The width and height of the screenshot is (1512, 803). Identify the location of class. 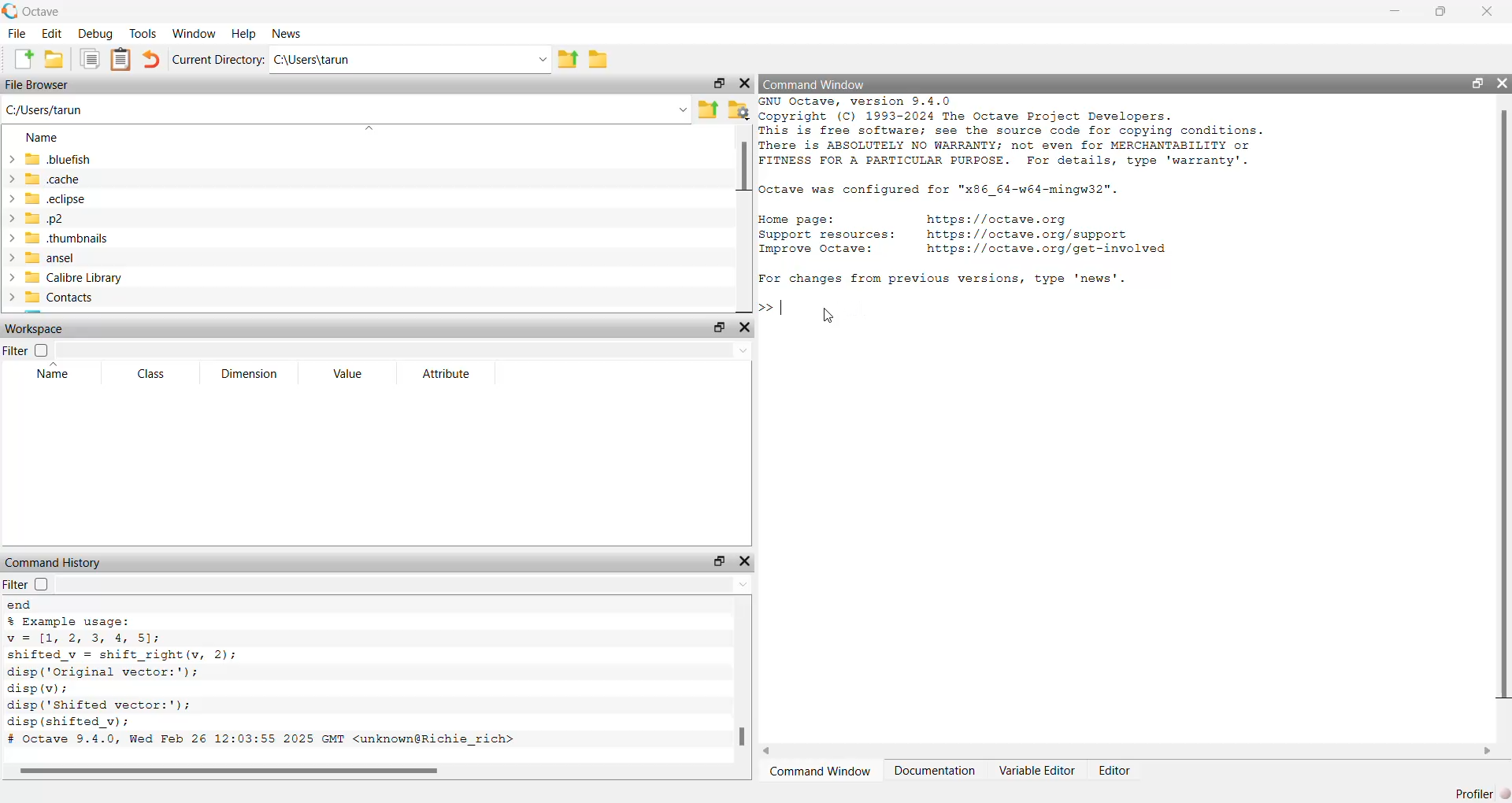
(148, 375).